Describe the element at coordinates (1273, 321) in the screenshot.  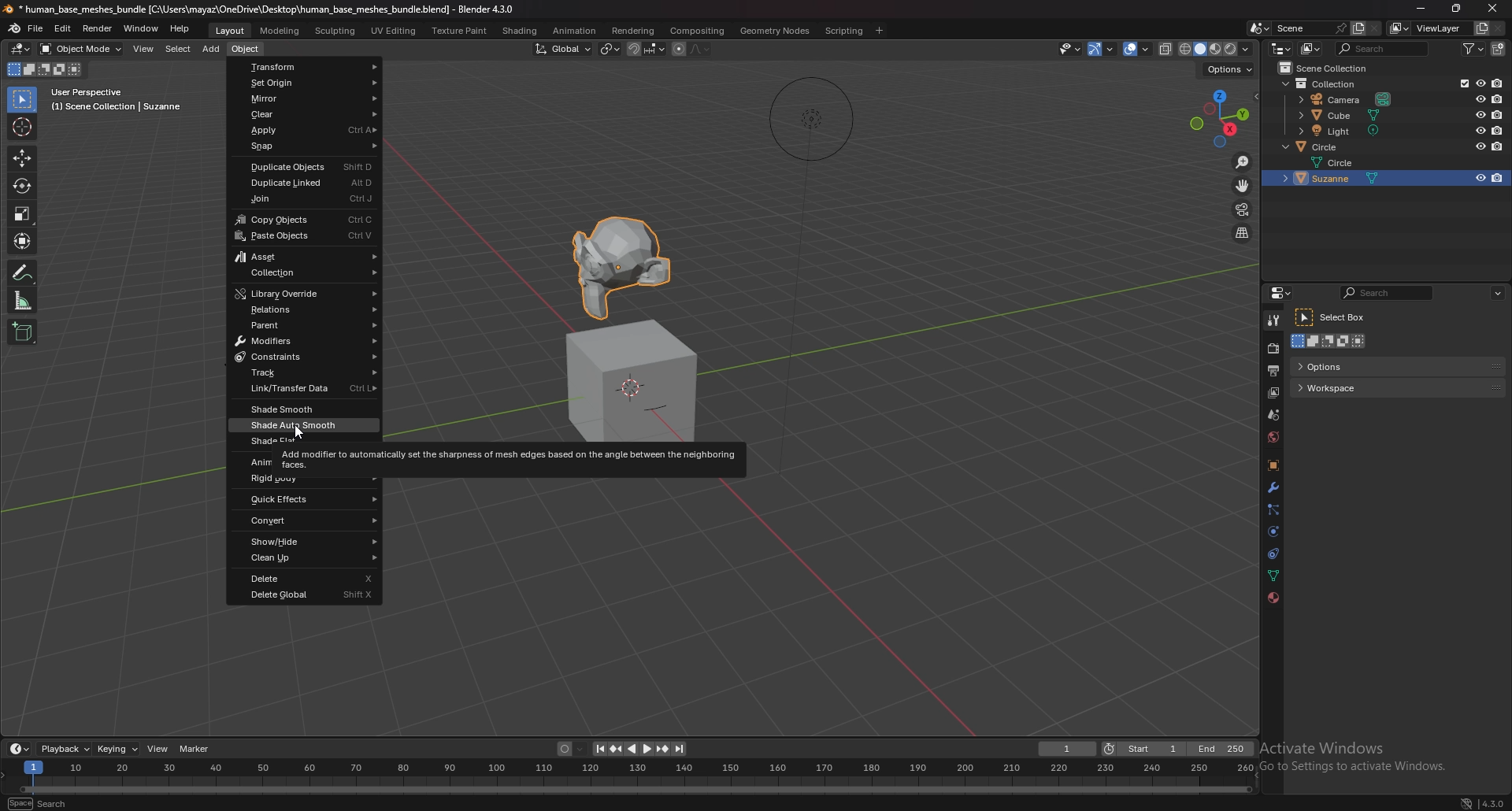
I see `tool` at that location.